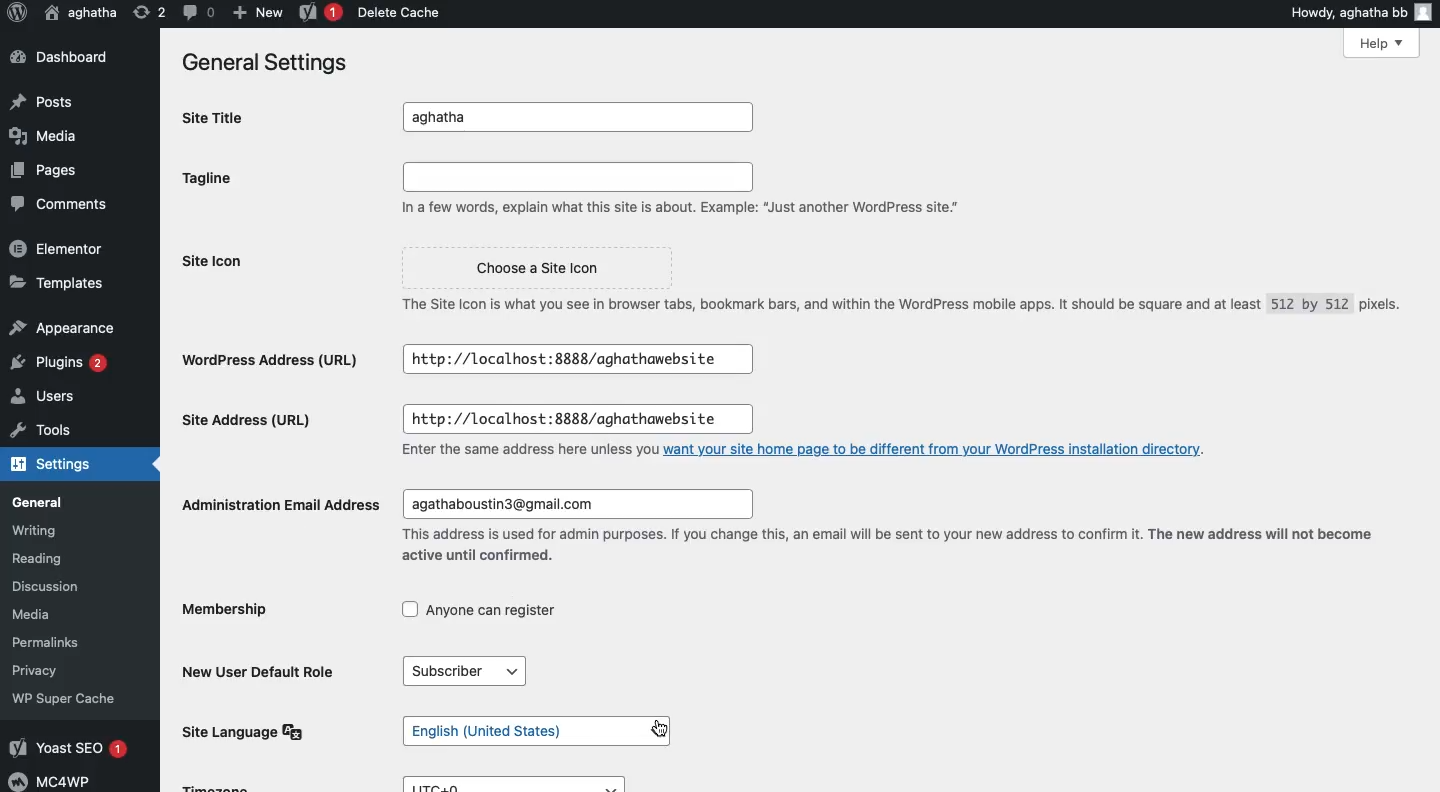 This screenshot has height=792, width=1440. Describe the element at coordinates (254, 12) in the screenshot. I see `New` at that location.